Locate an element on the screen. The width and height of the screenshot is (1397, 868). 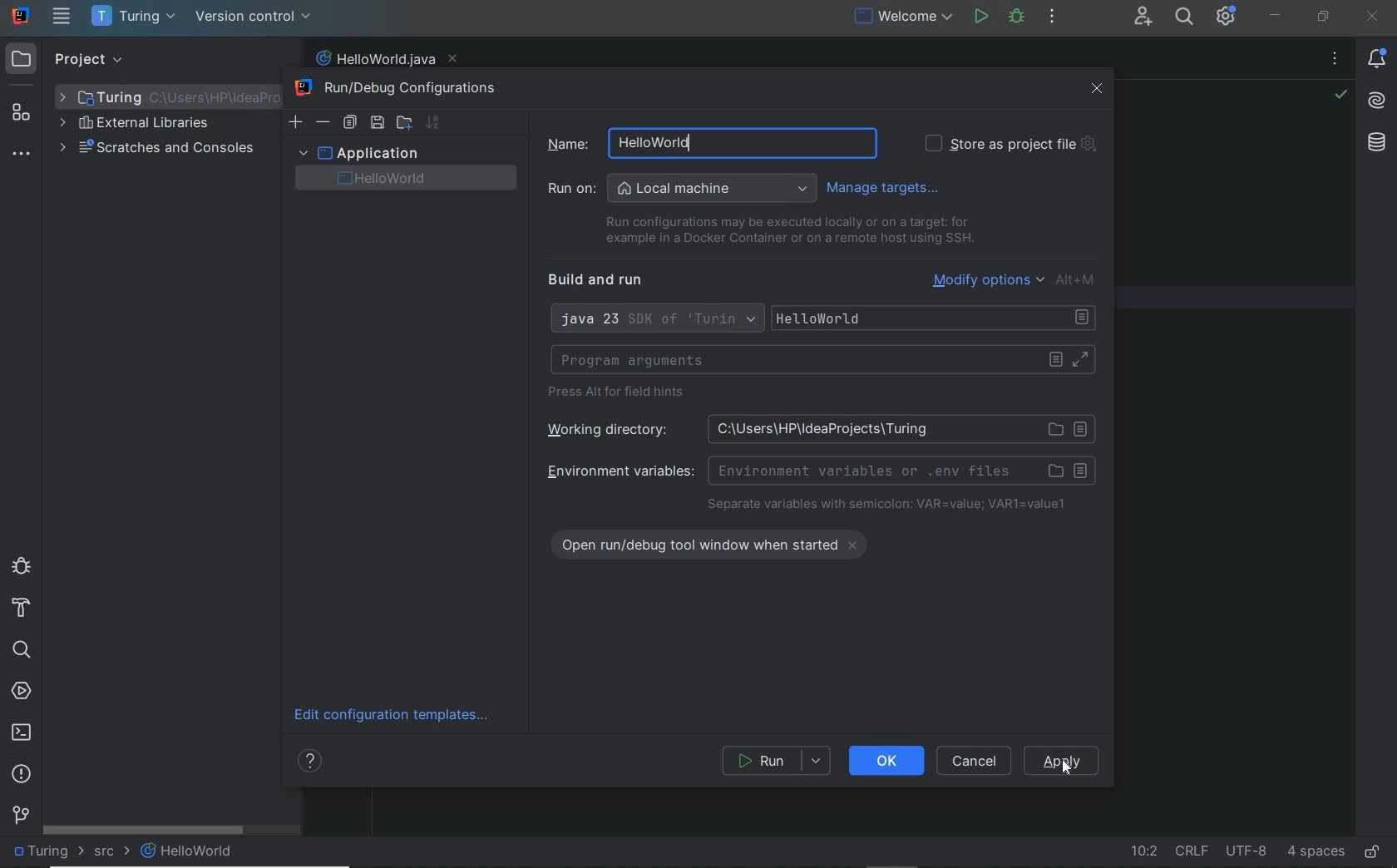
current file: run/debug configurations is located at coordinates (901, 17).